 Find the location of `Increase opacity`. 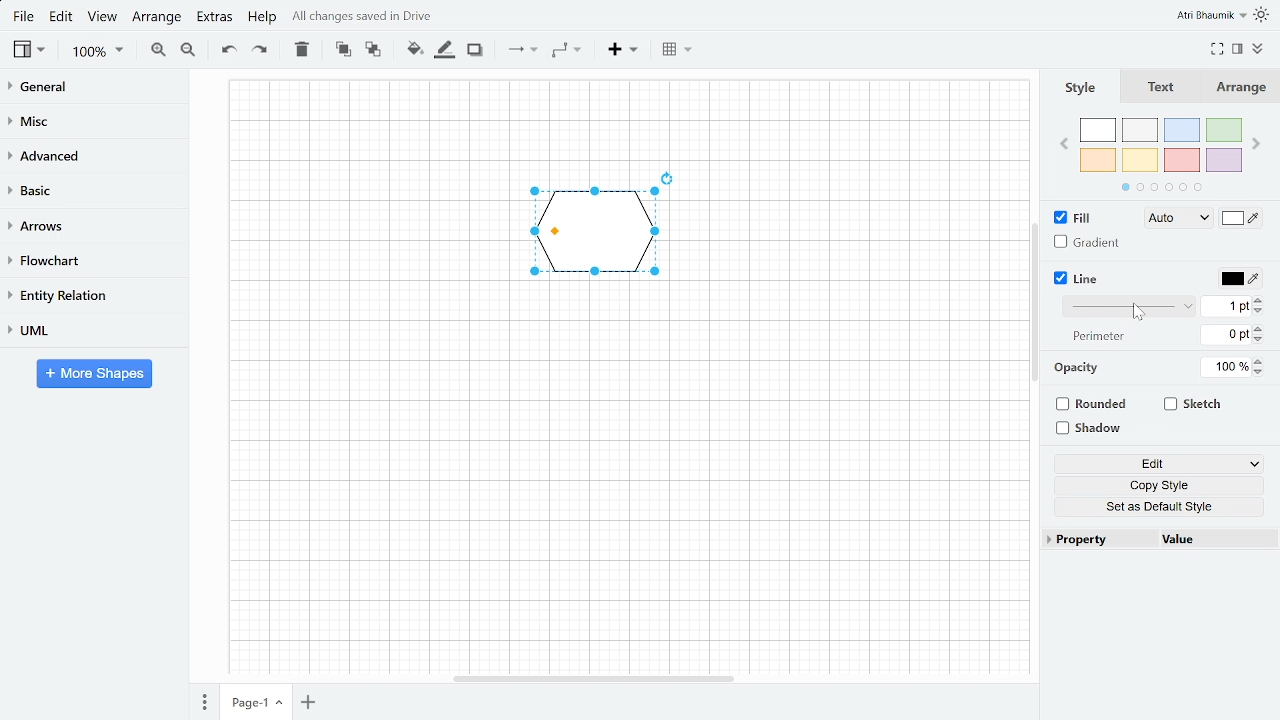

Increase opacity is located at coordinates (1259, 362).